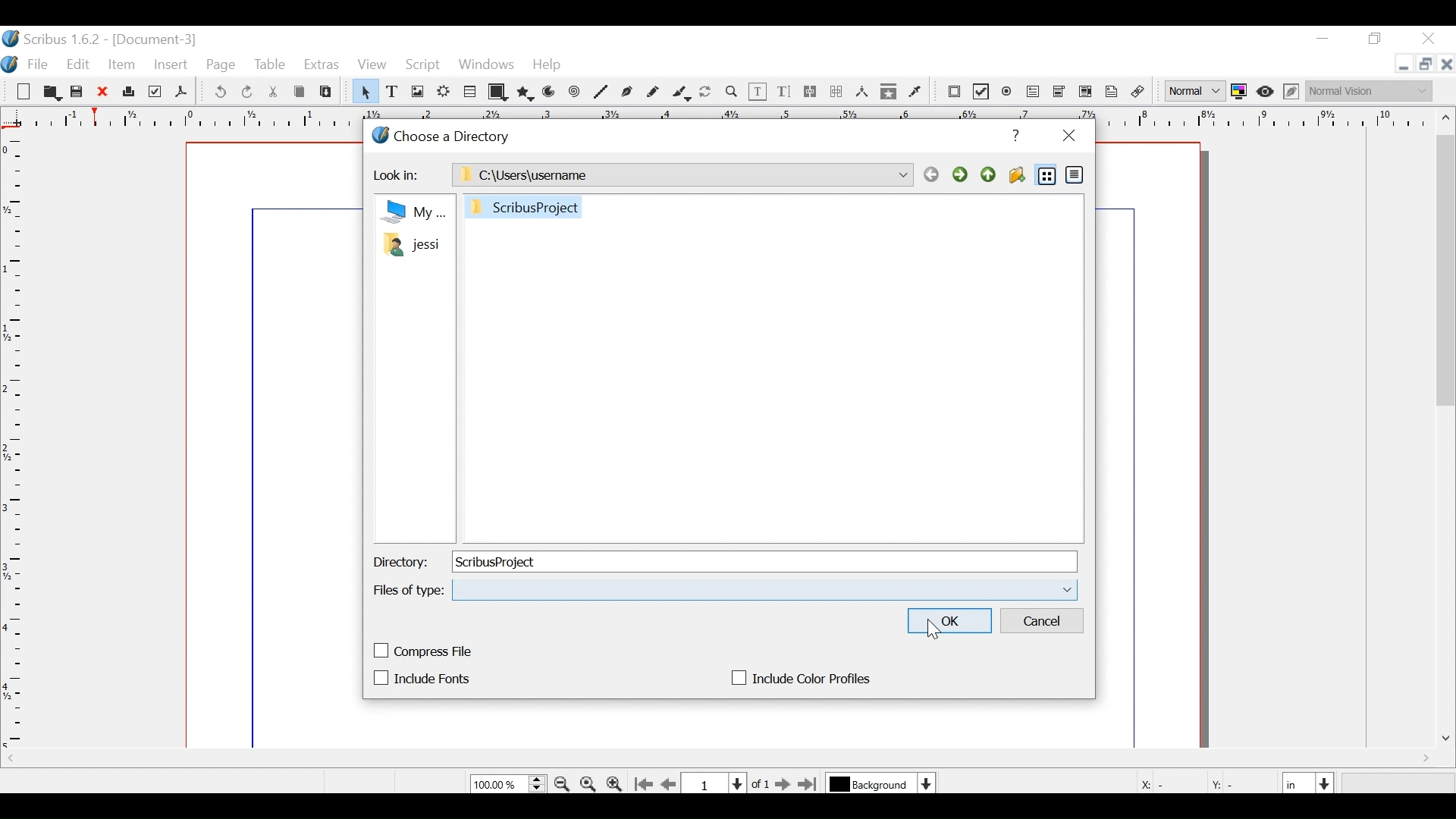 This screenshot has width=1456, height=819. Describe the element at coordinates (931, 174) in the screenshot. I see `Back` at that location.